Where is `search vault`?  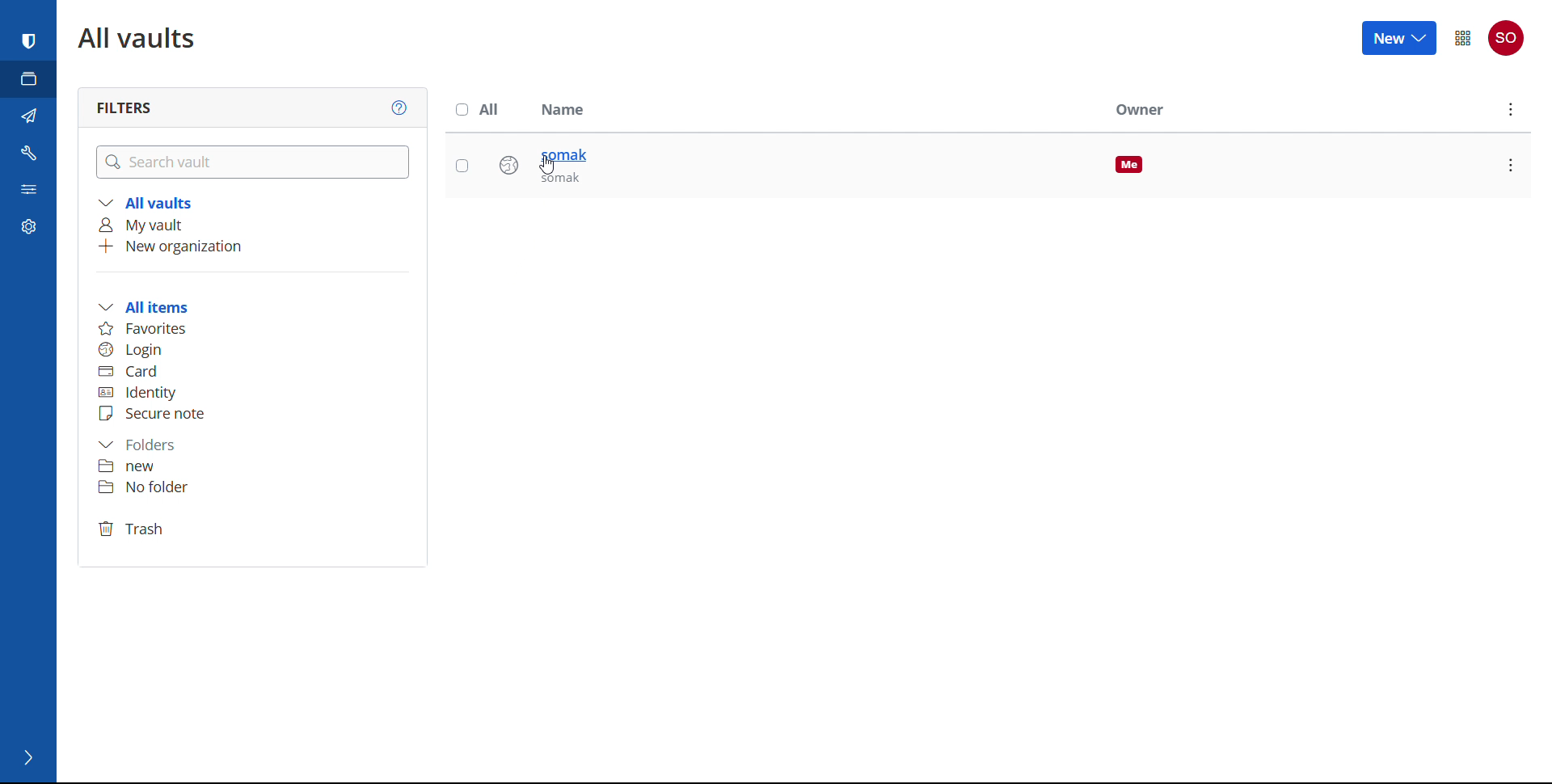 search vault is located at coordinates (253, 162).